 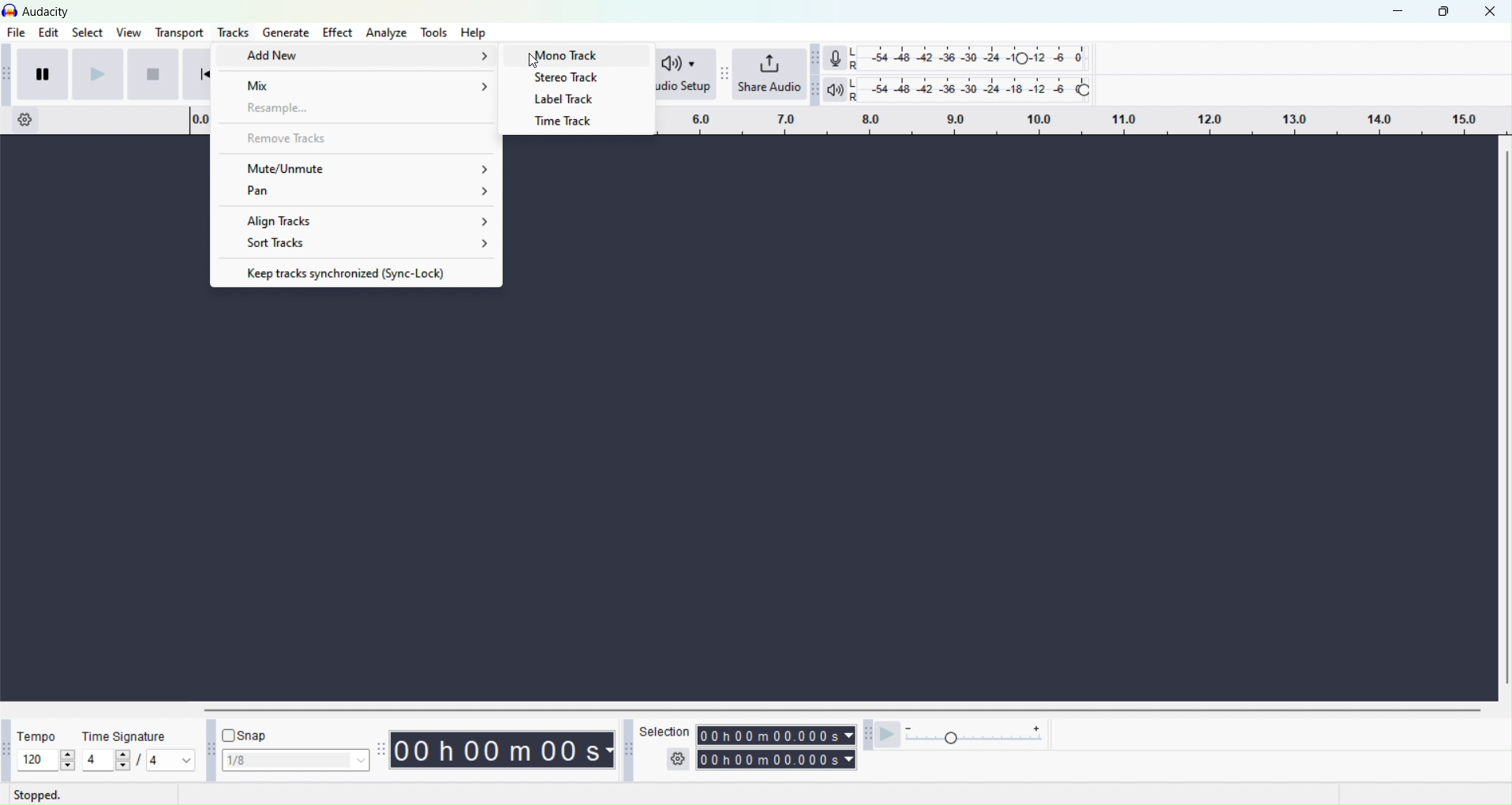 I want to click on Sort tracks, so click(x=356, y=245).